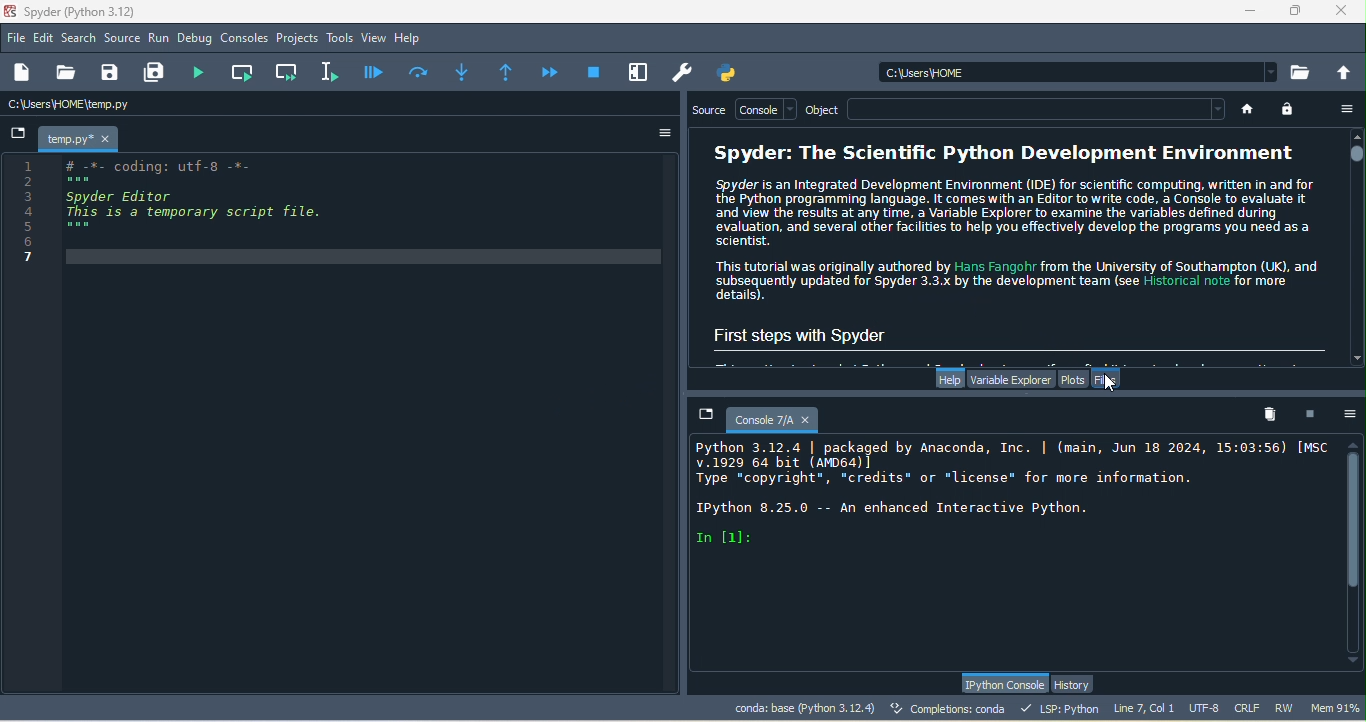  I want to click on edit, so click(45, 39).